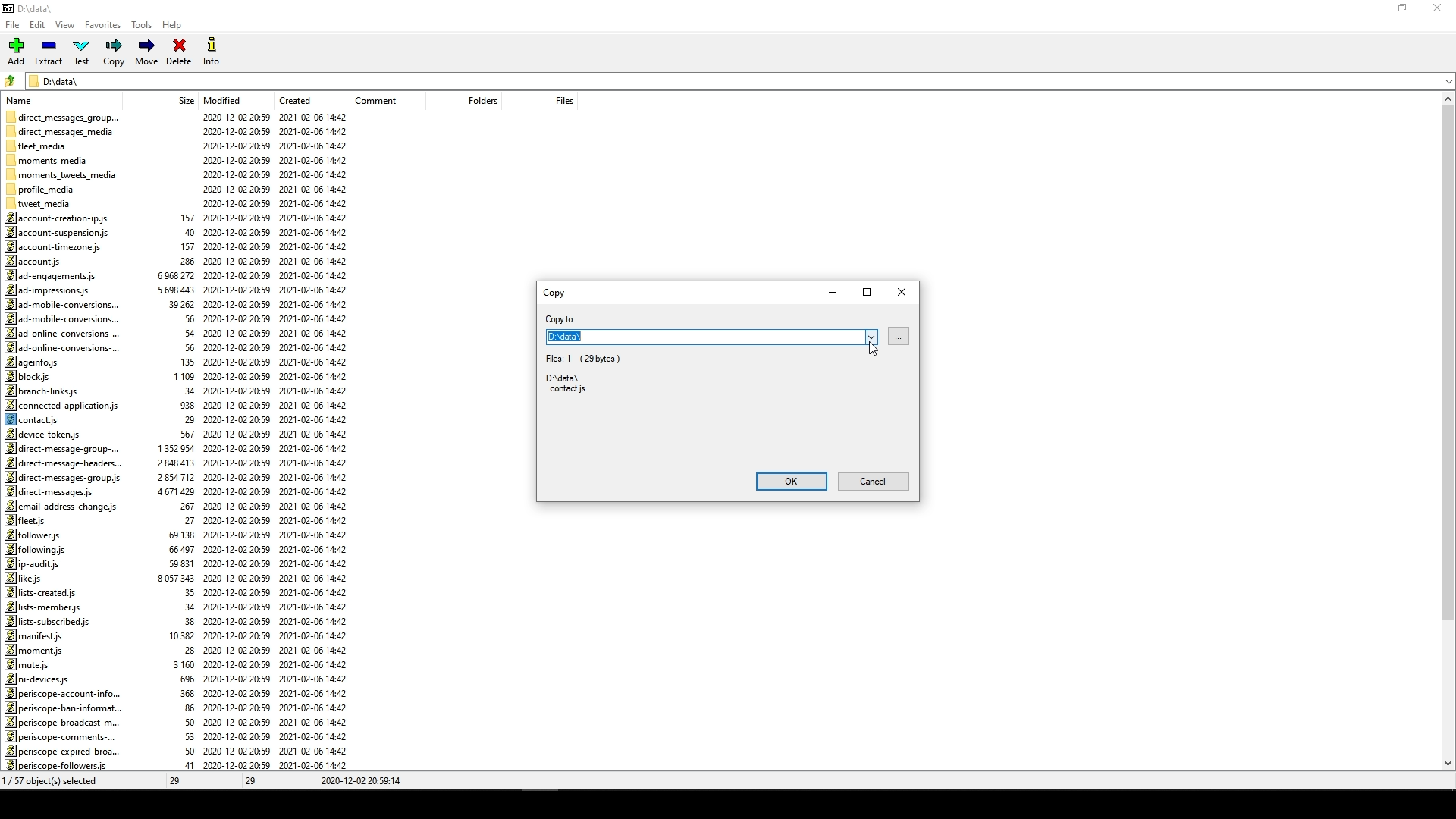  Describe the element at coordinates (66, 174) in the screenshot. I see `moments_tweets_media` at that location.